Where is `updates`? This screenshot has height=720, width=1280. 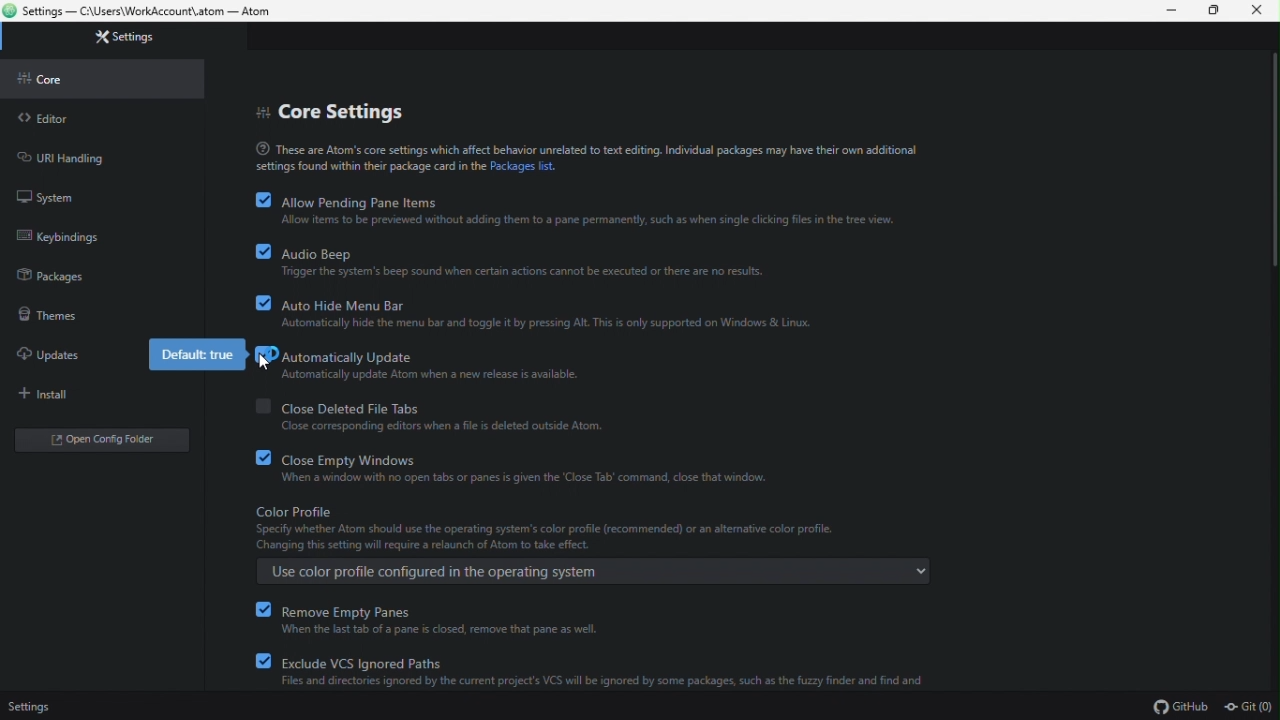 updates is located at coordinates (49, 350).